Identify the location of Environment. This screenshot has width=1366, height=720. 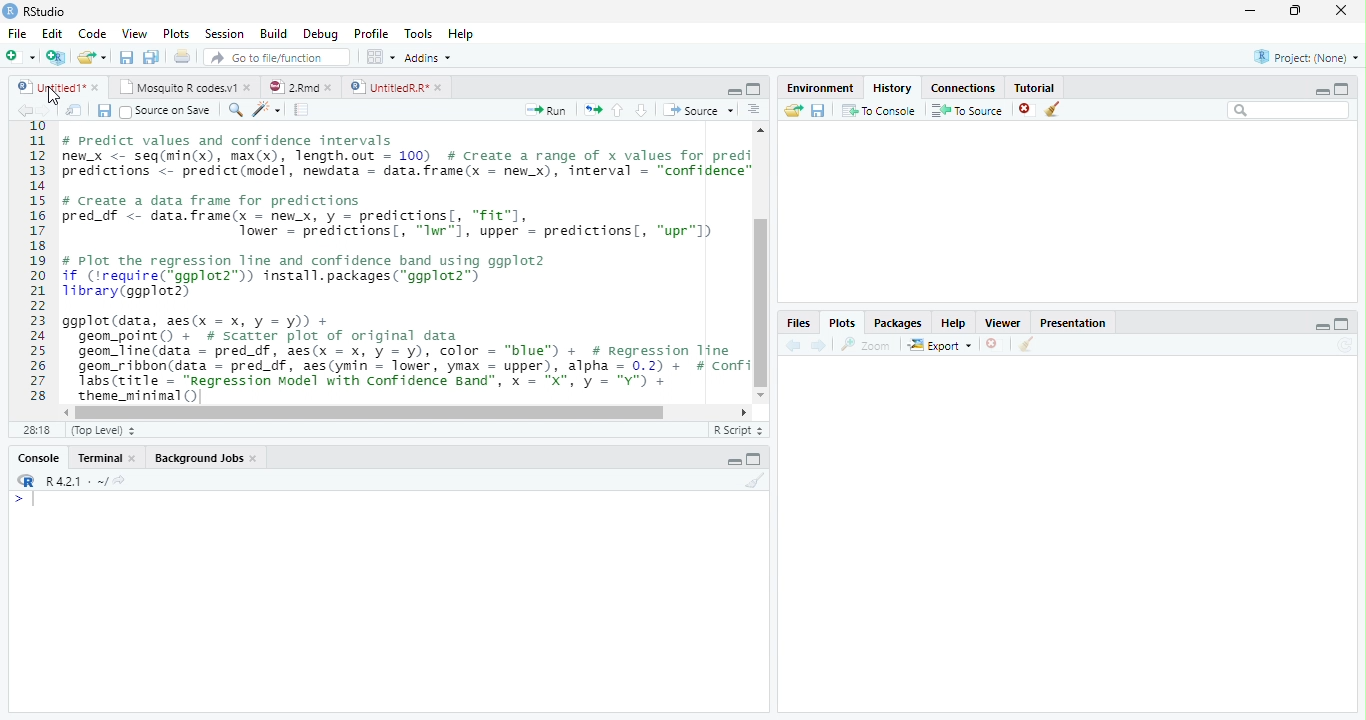
(820, 88).